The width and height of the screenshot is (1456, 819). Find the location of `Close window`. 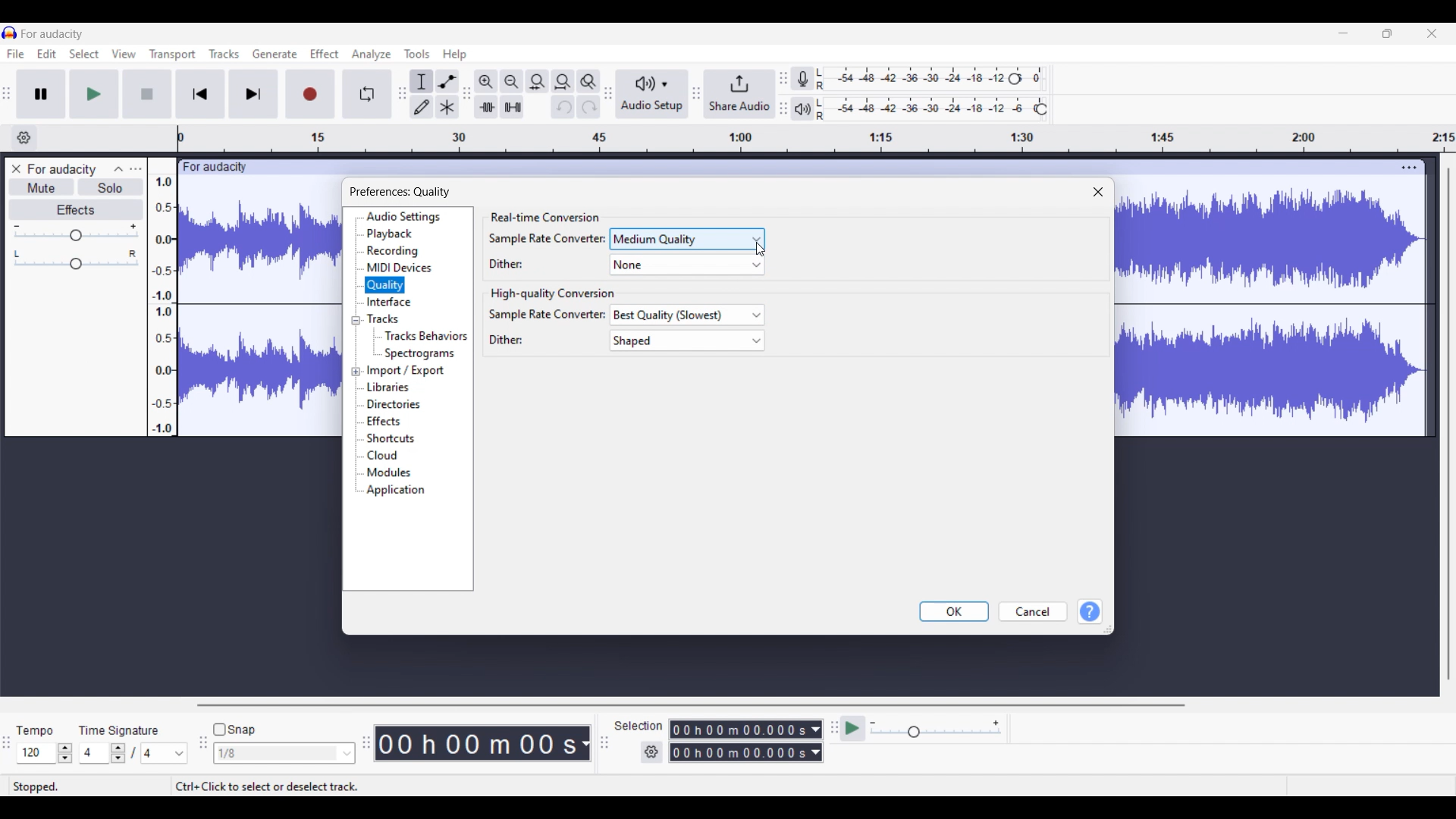

Close window is located at coordinates (1098, 193).